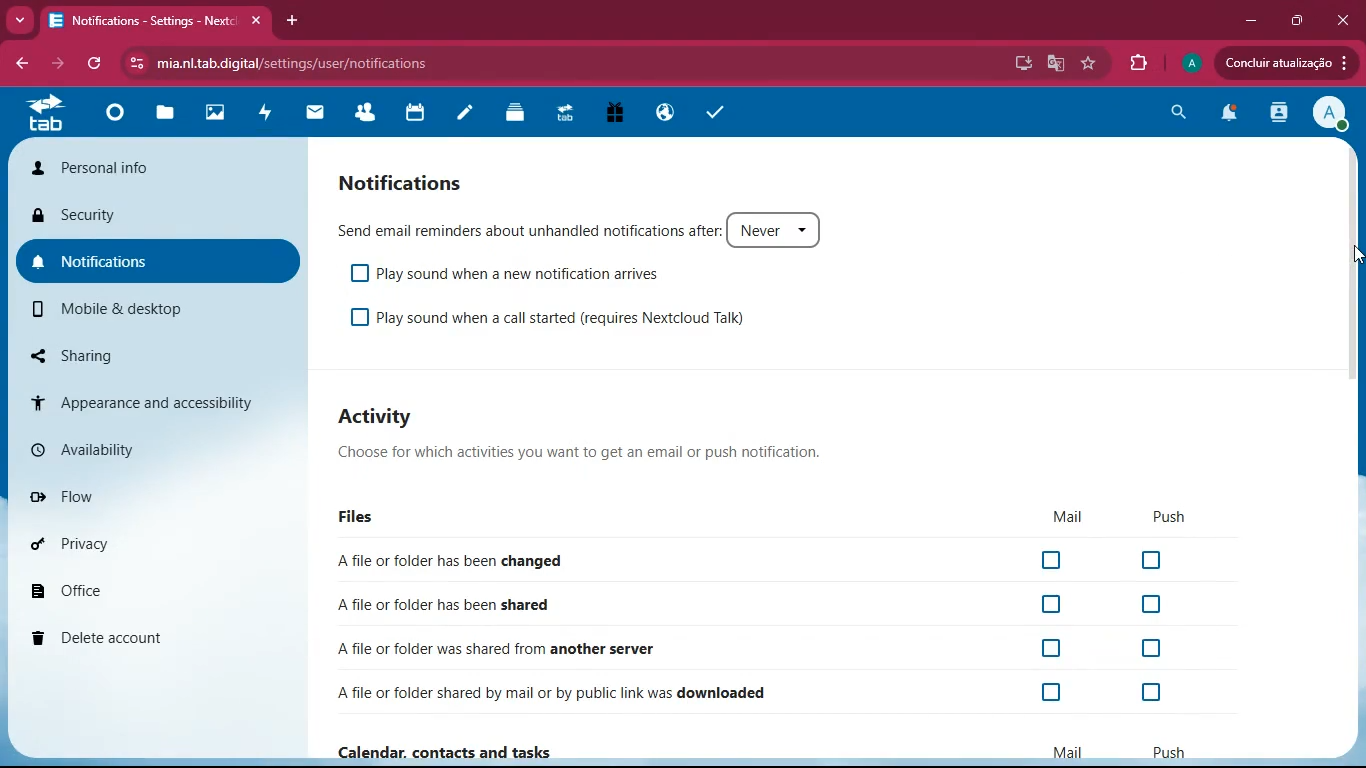 Image resolution: width=1366 pixels, height=768 pixels. I want to click on tab, so click(569, 116).